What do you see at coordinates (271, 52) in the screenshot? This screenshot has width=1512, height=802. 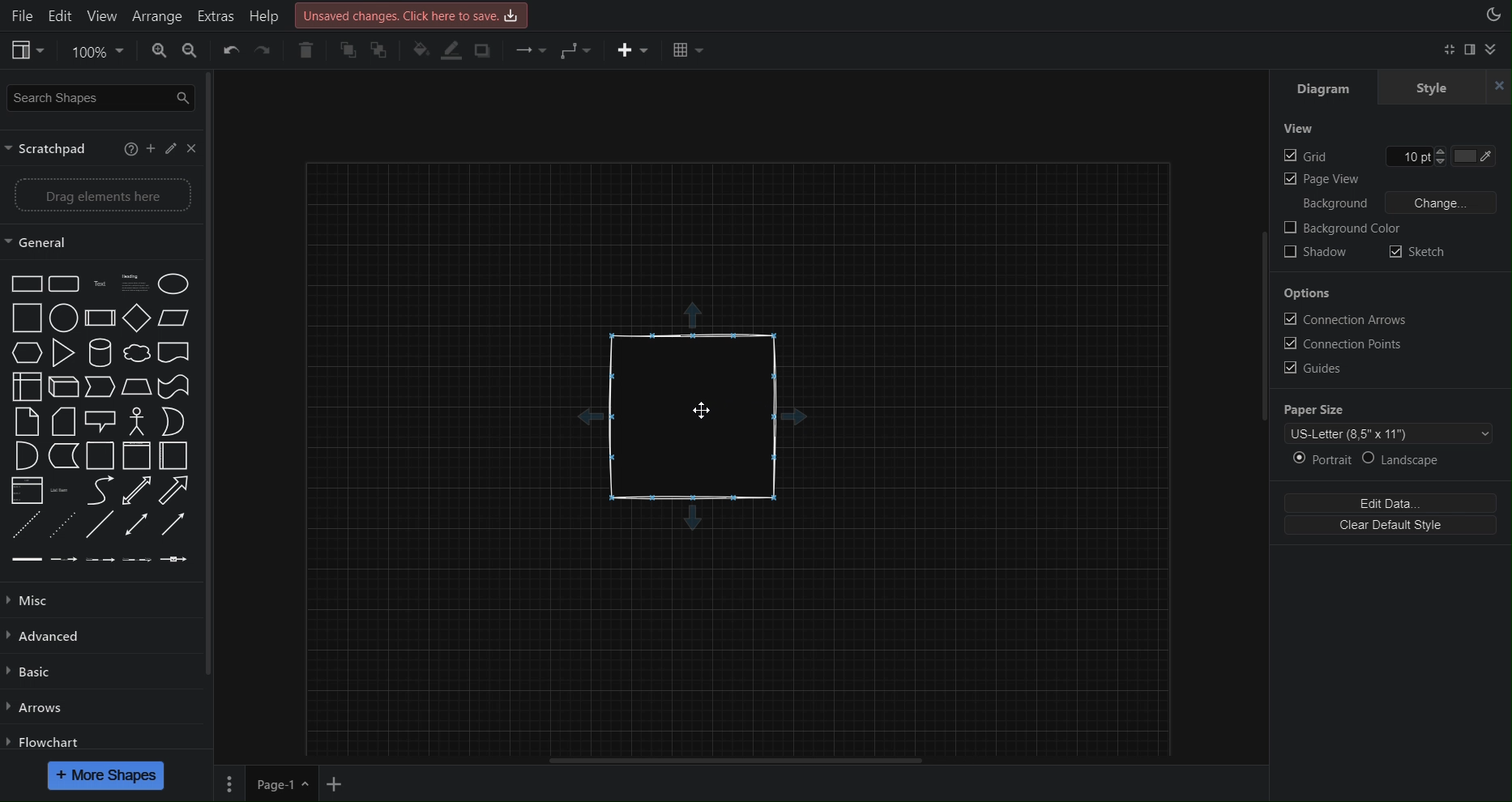 I see `Redo` at bounding box center [271, 52].